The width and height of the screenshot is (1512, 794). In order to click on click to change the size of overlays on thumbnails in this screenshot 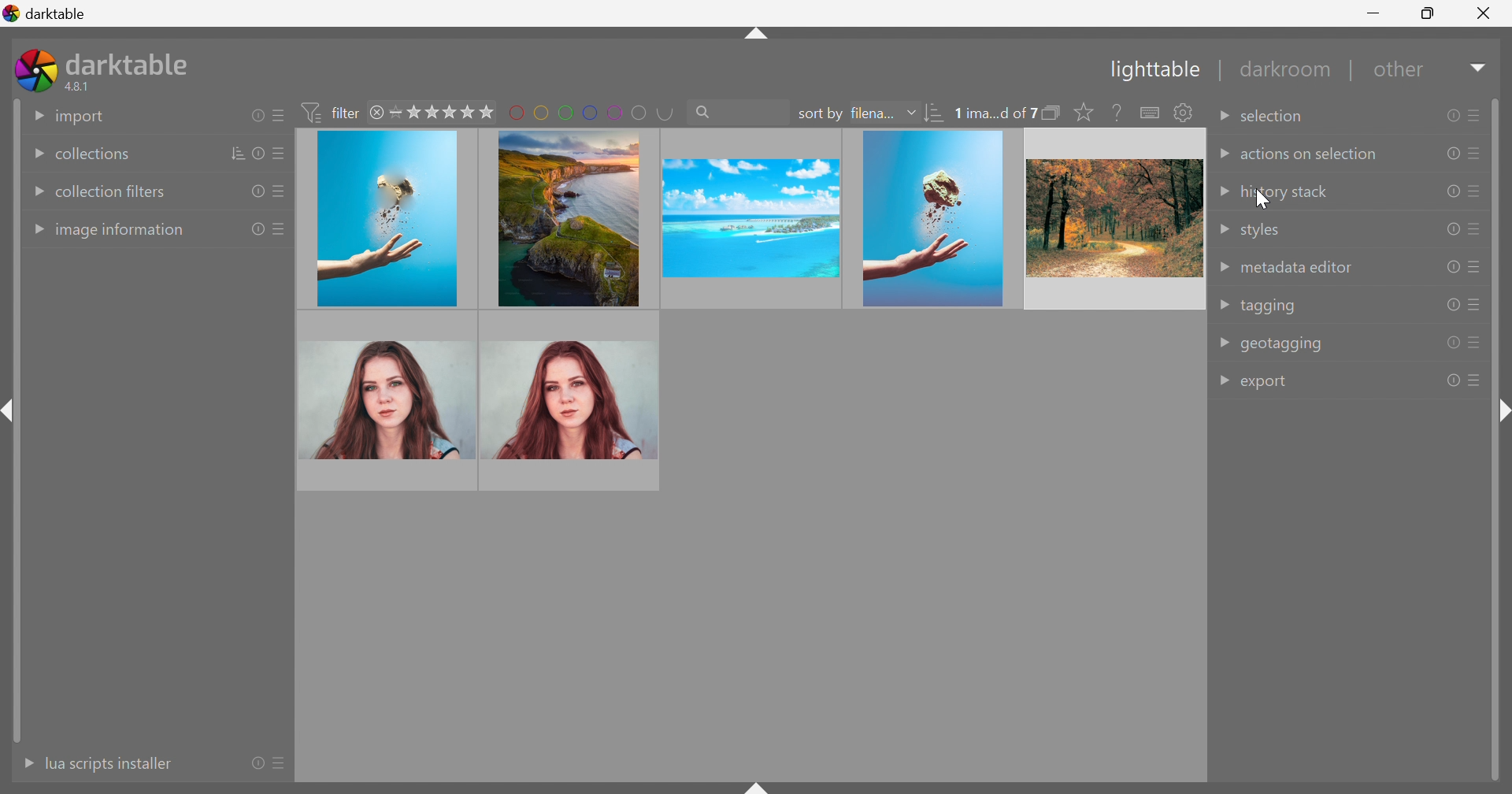, I will do `click(1080, 113)`.